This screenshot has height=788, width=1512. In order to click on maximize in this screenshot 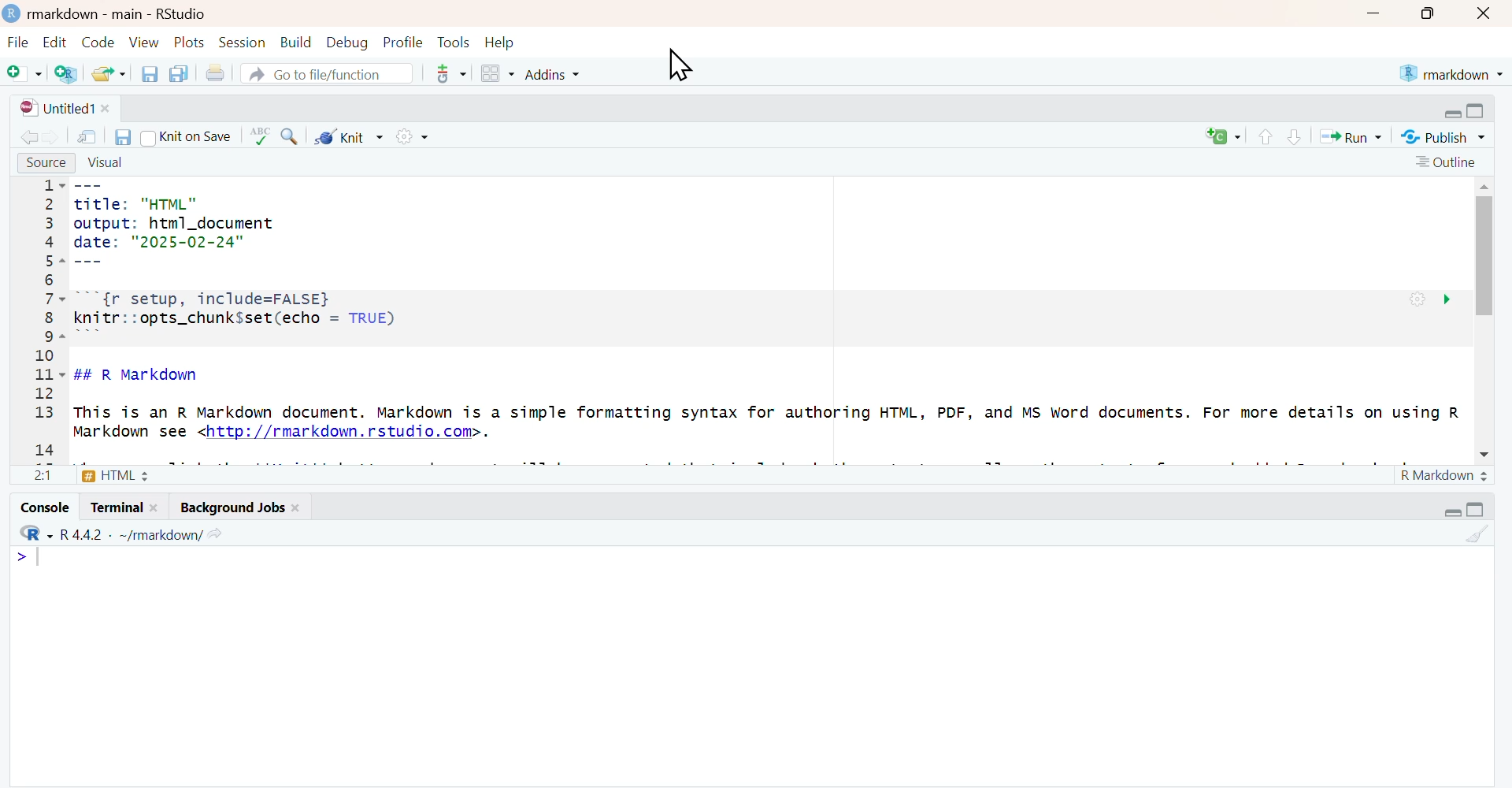, I will do `click(1425, 13)`.